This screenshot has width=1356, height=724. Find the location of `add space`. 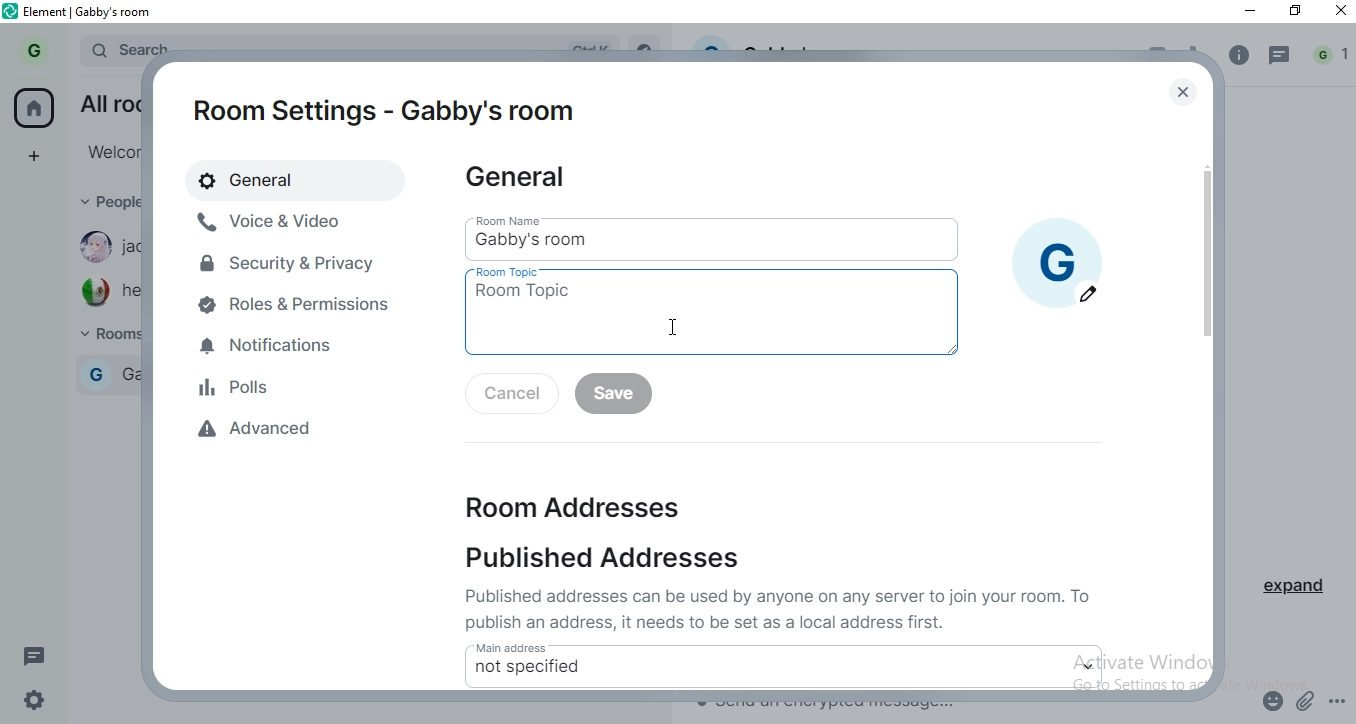

add space is located at coordinates (40, 156).